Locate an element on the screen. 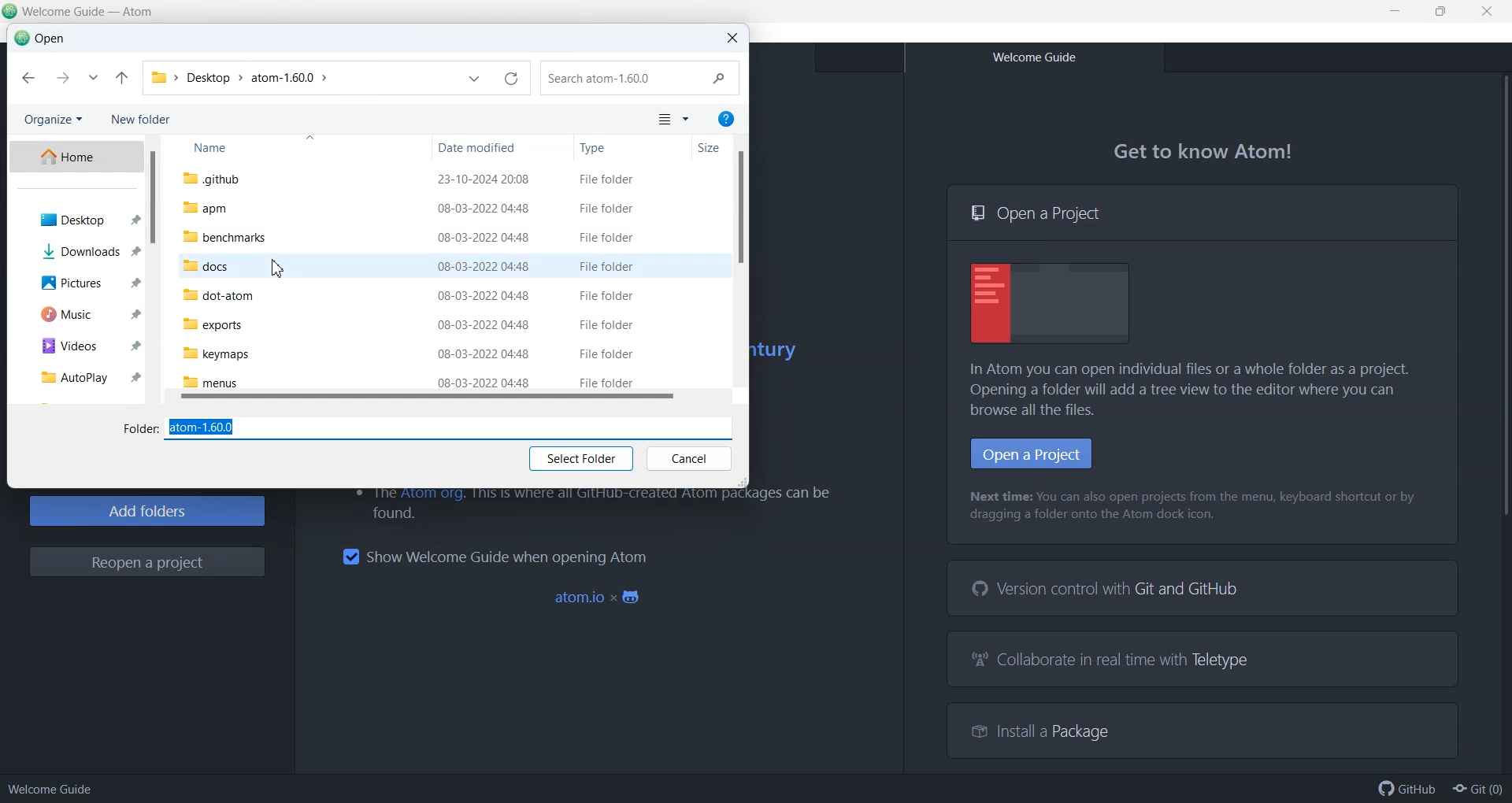 This screenshot has height=803, width=1512. Search .github is located at coordinates (641, 79).